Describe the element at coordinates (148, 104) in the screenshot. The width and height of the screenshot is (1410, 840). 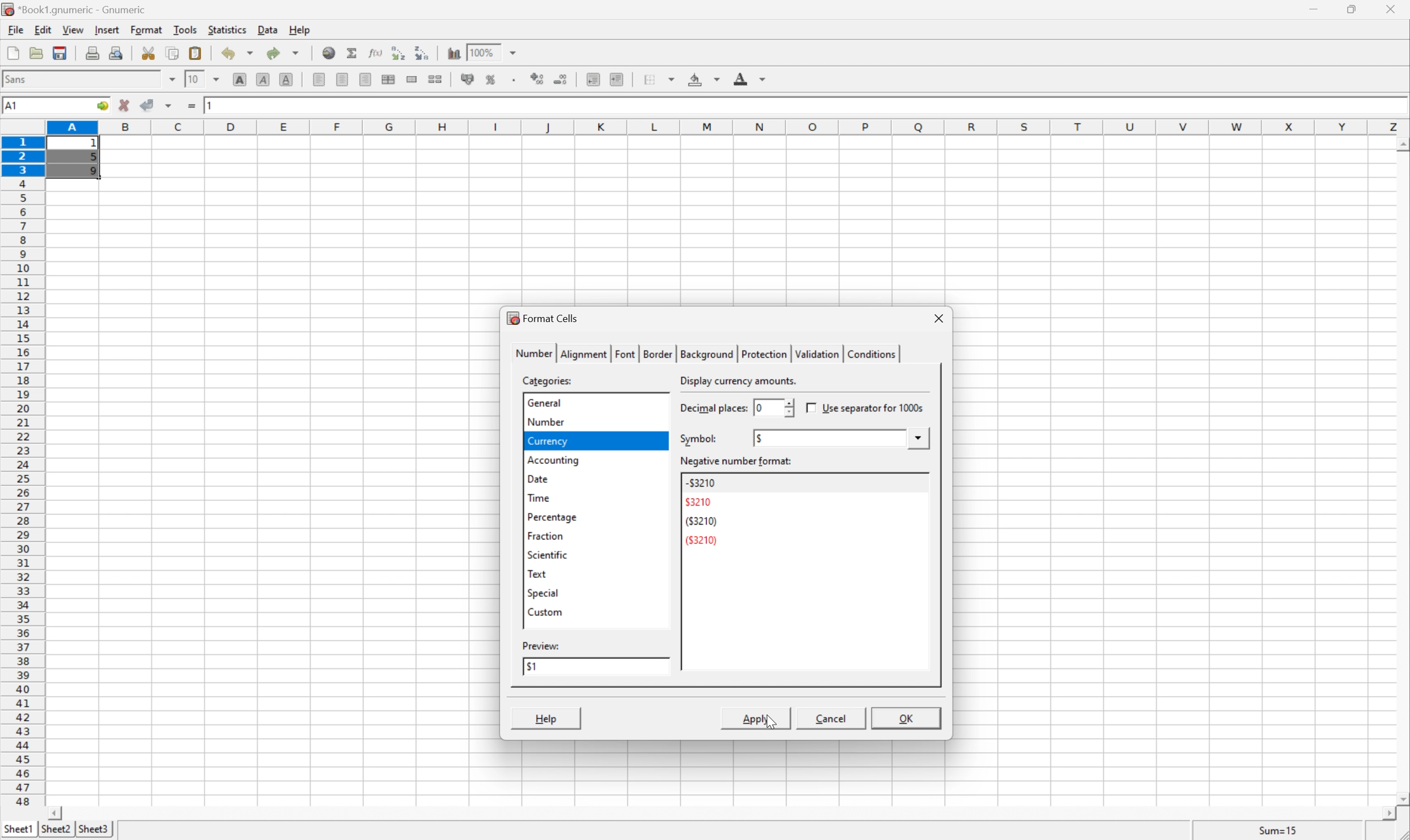
I see `accept changes` at that location.